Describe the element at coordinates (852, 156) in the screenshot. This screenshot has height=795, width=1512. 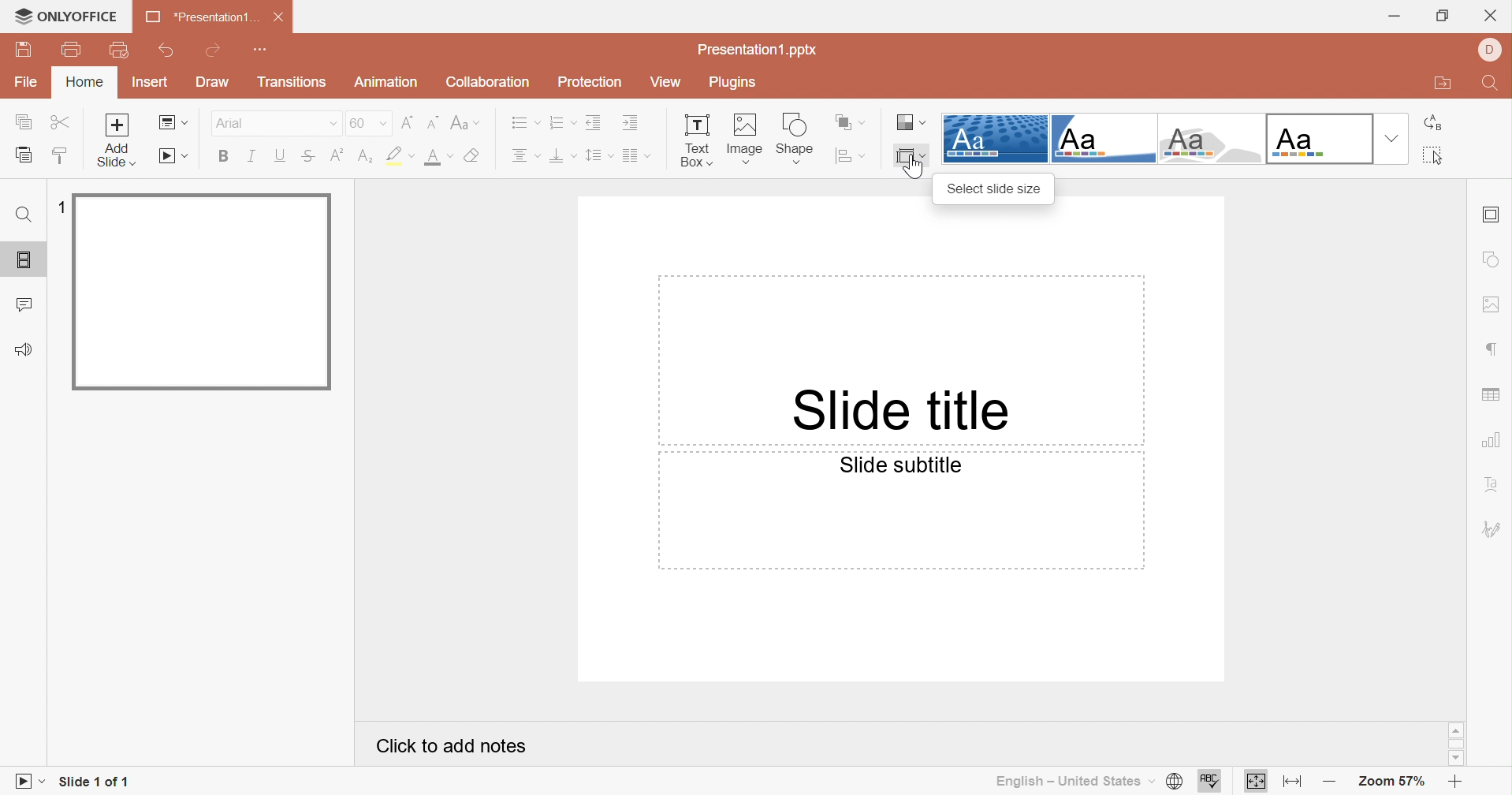
I see `Align shape` at that location.